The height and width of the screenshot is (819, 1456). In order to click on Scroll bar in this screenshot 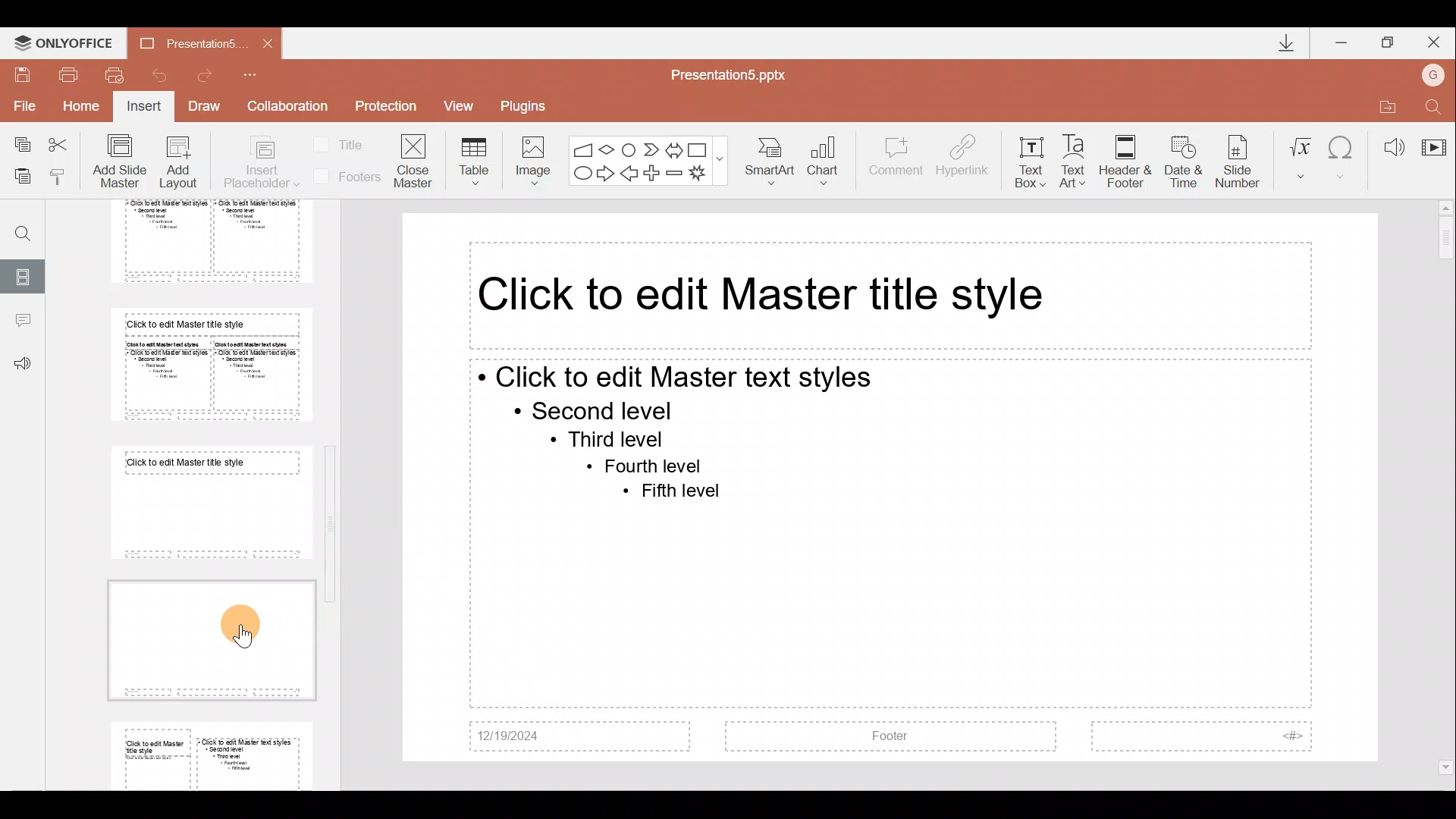, I will do `click(334, 485)`.